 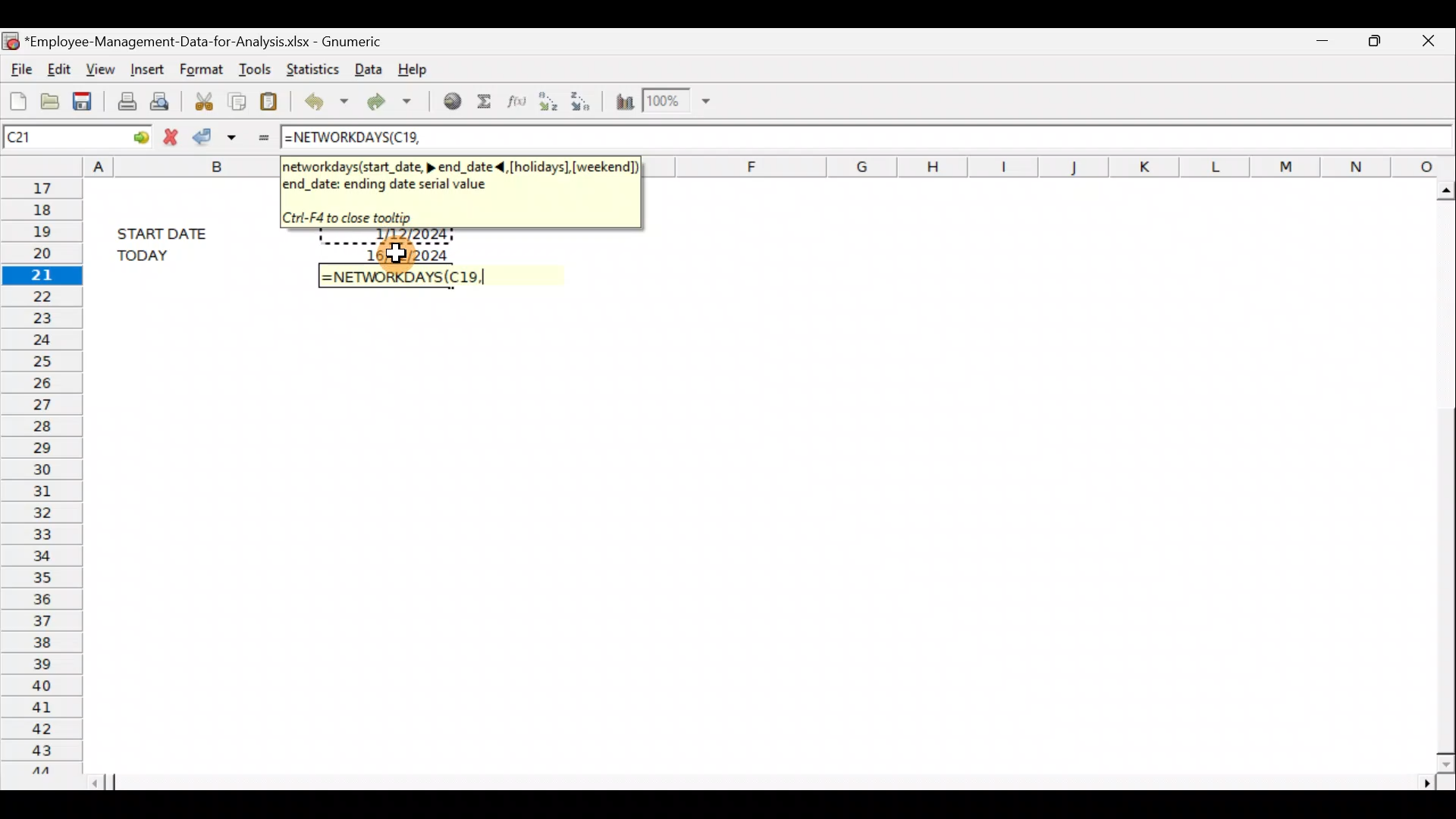 What do you see at coordinates (547, 102) in the screenshot?
I see `Sort in Ascending order` at bounding box center [547, 102].